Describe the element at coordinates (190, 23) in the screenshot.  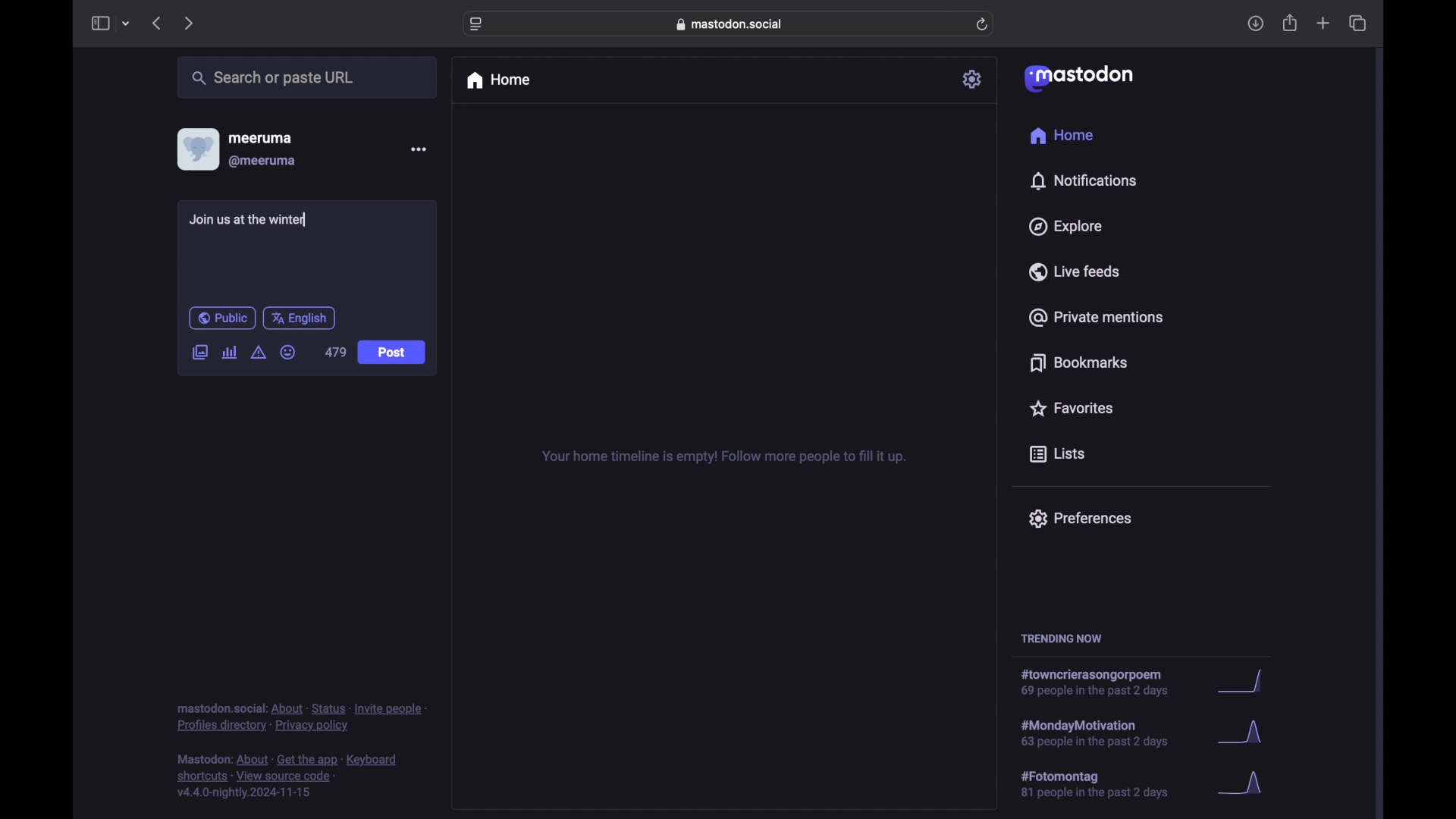
I see `next` at that location.